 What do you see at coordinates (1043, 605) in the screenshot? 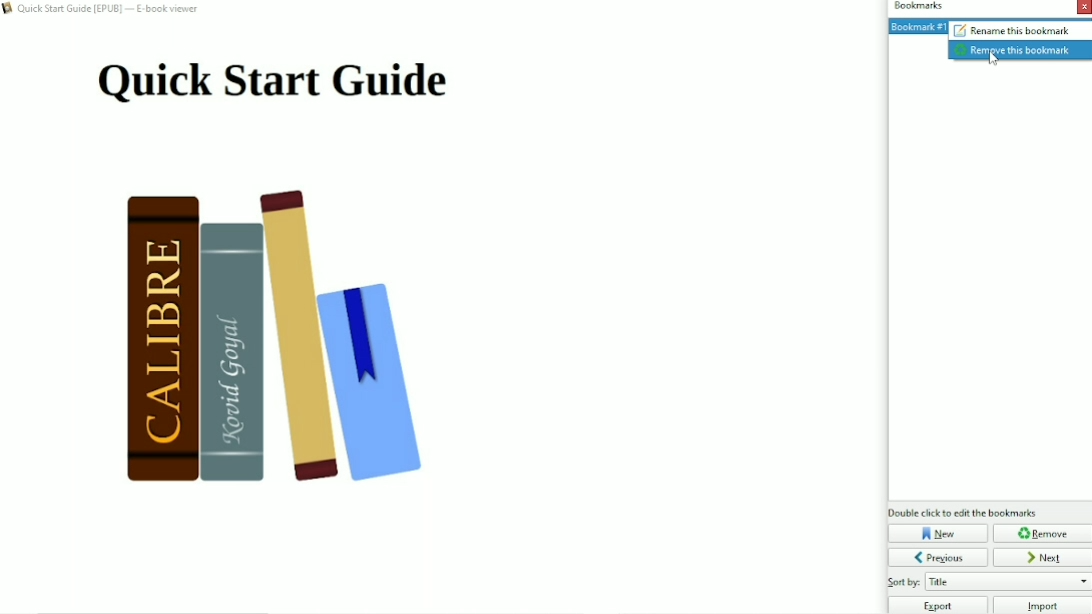
I see `Import` at bounding box center [1043, 605].